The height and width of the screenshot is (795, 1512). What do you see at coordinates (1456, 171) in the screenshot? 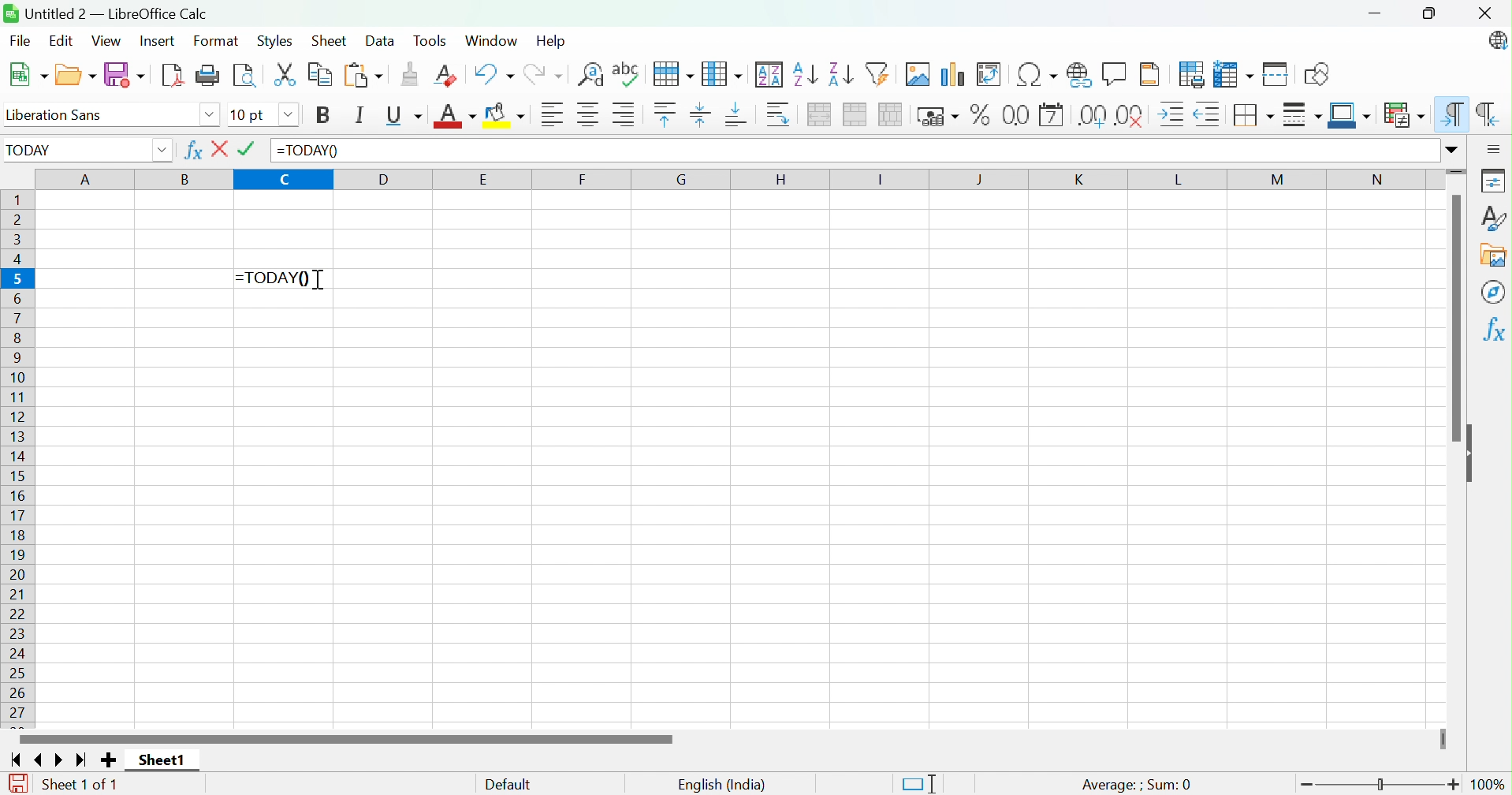
I see `Slider` at bounding box center [1456, 171].